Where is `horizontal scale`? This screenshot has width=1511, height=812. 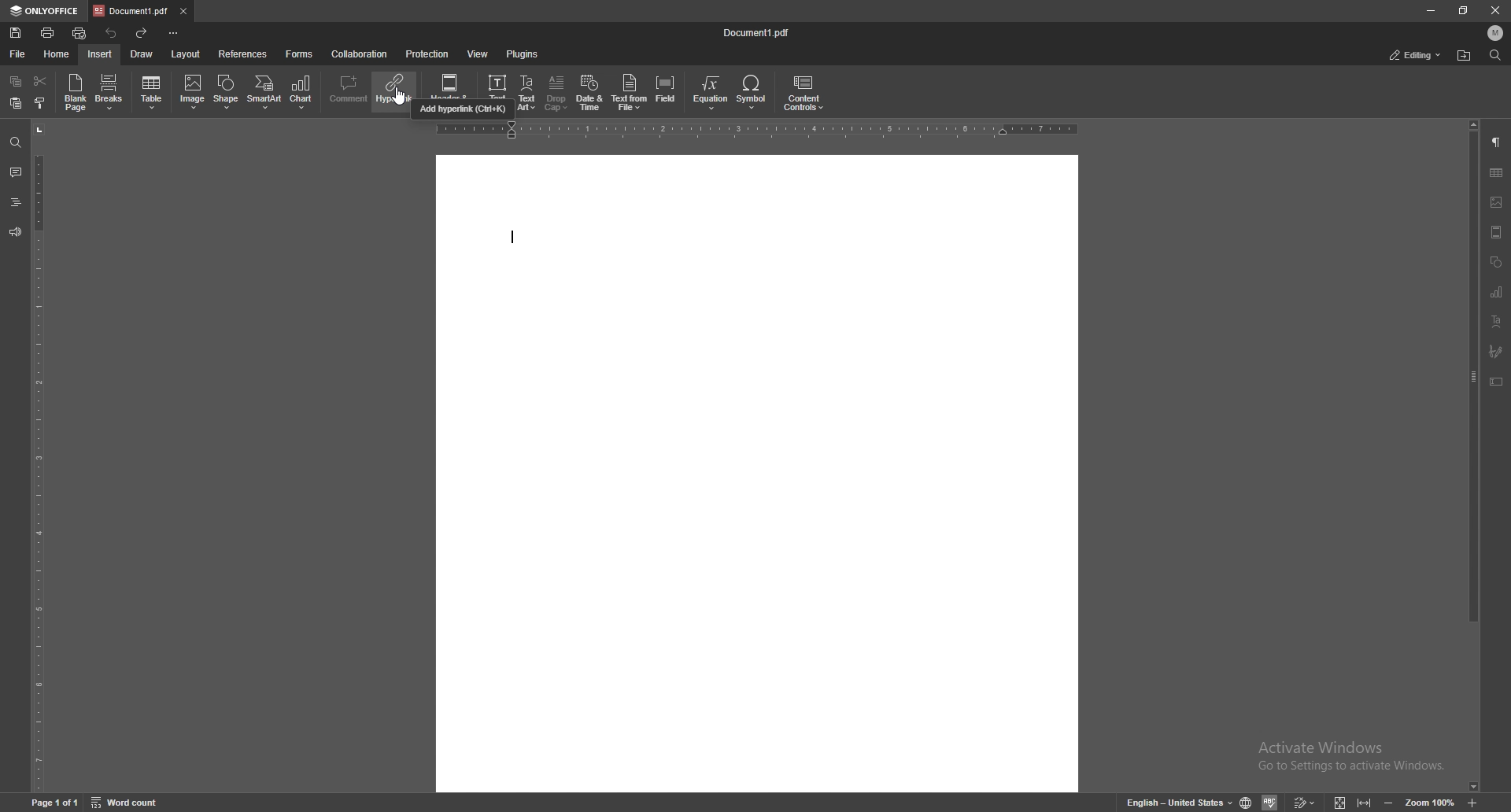 horizontal scale is located at coordinates (761, 129).